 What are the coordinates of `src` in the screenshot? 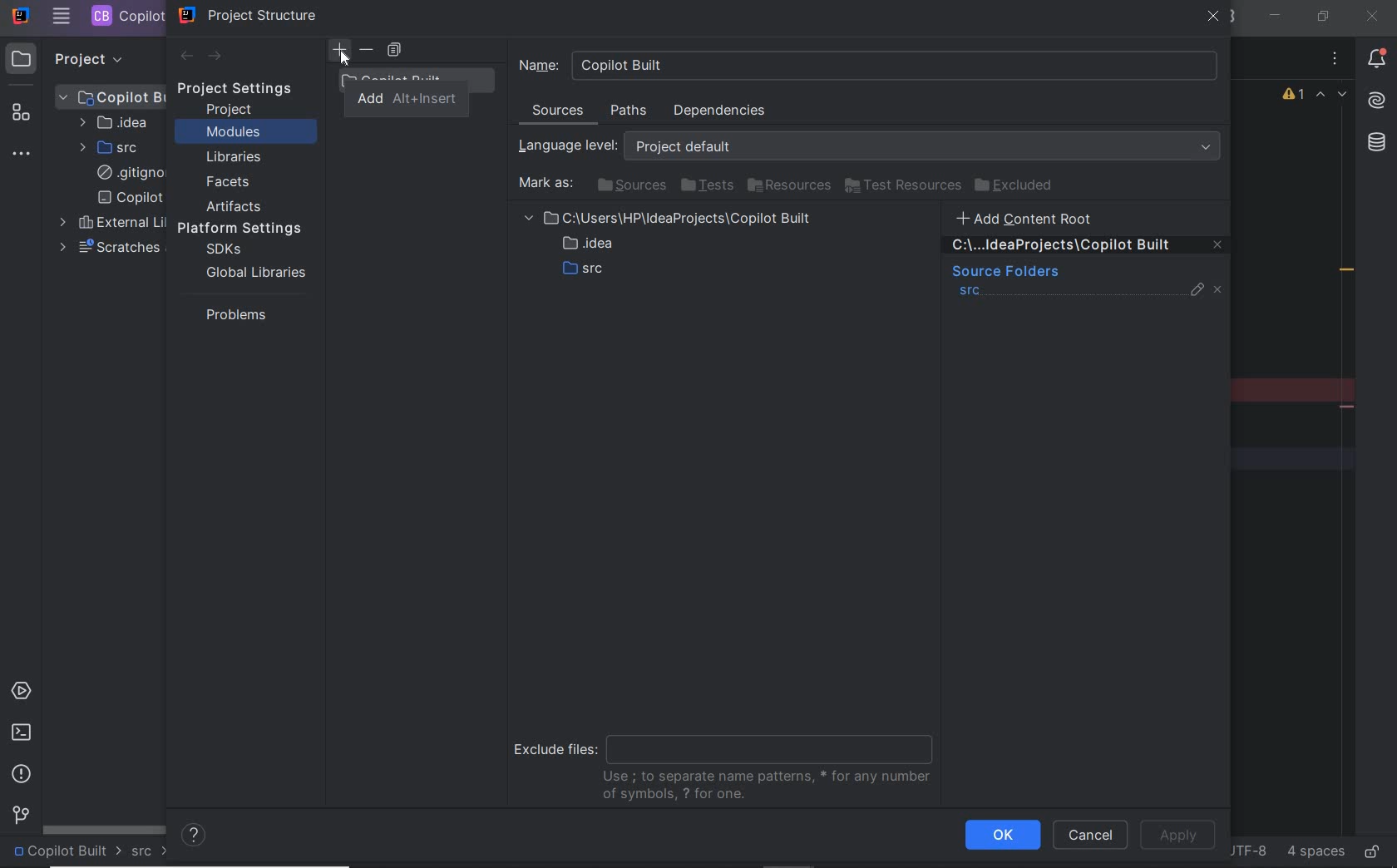 It's located at (970, 293).